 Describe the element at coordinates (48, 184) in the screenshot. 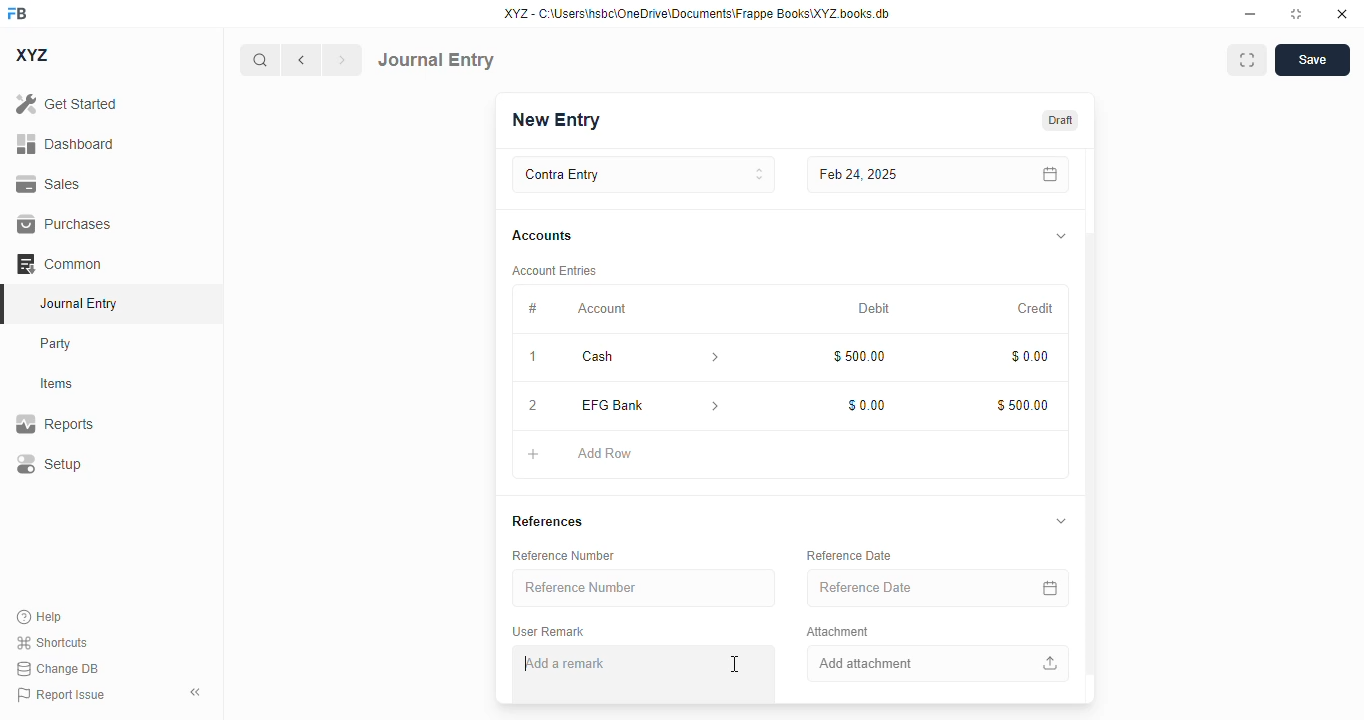

I see `sales` at that location.